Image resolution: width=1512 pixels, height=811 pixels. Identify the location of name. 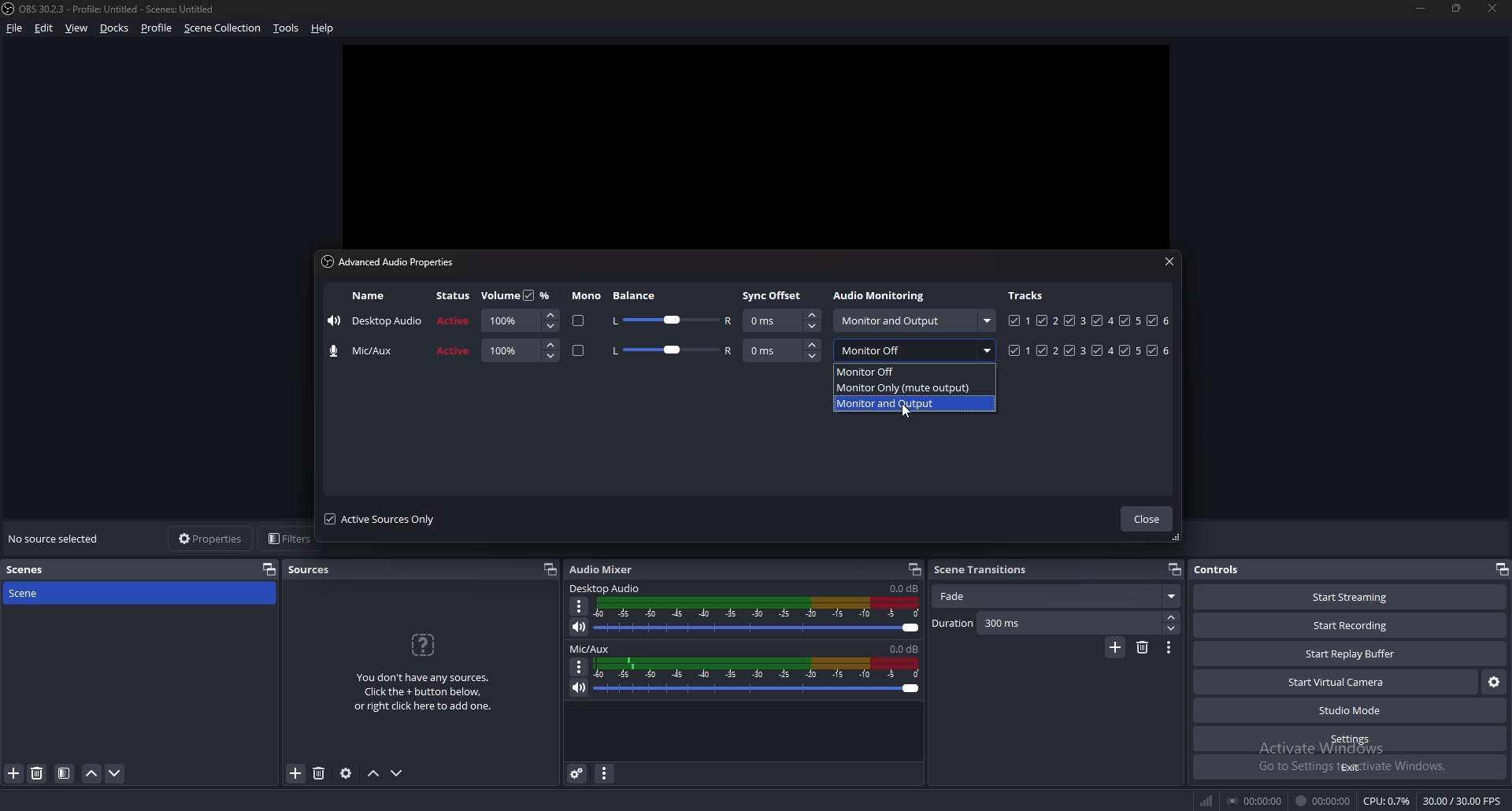
(367, 296).